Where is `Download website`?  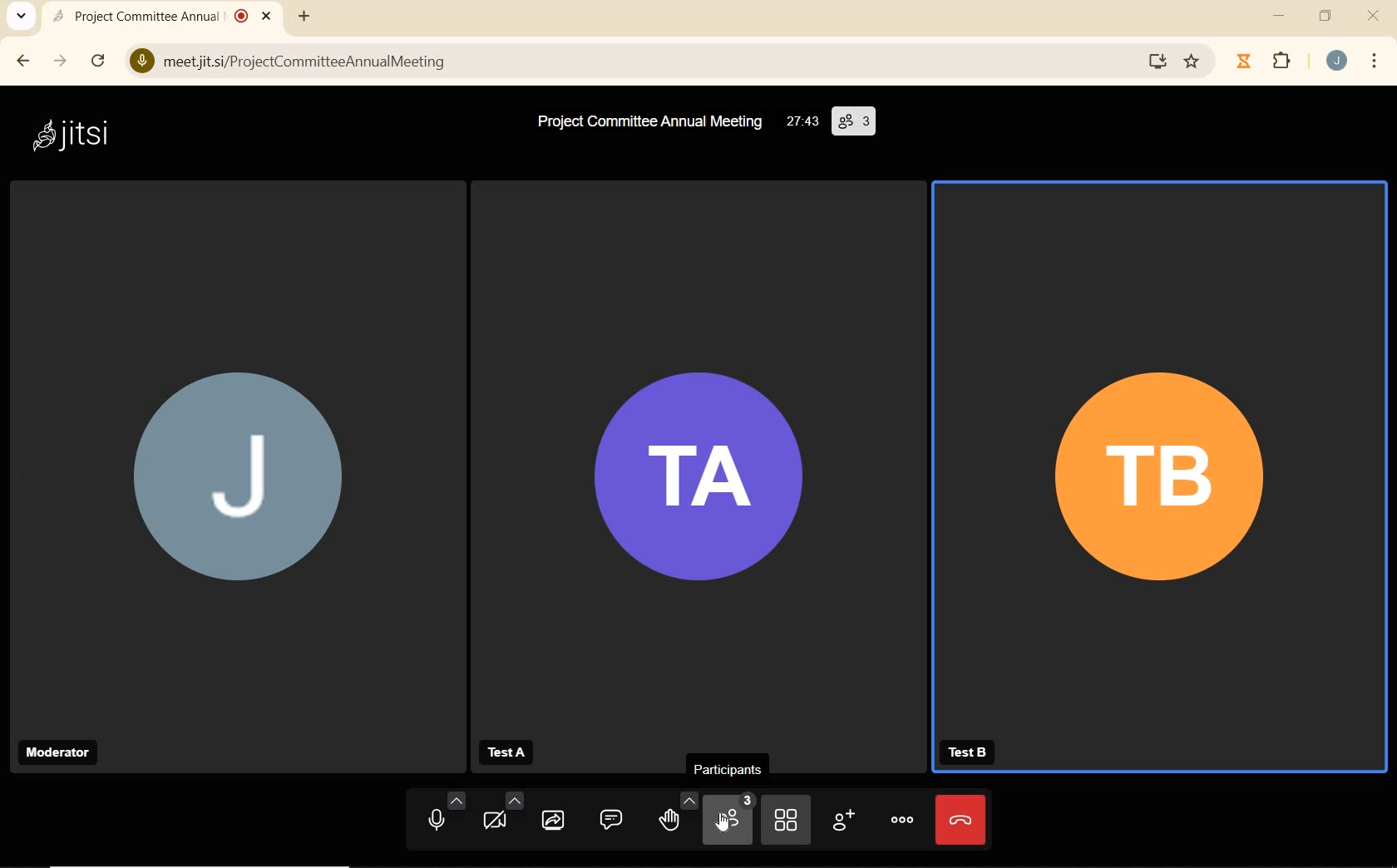
Download website is located at coordinates (1155, 62).